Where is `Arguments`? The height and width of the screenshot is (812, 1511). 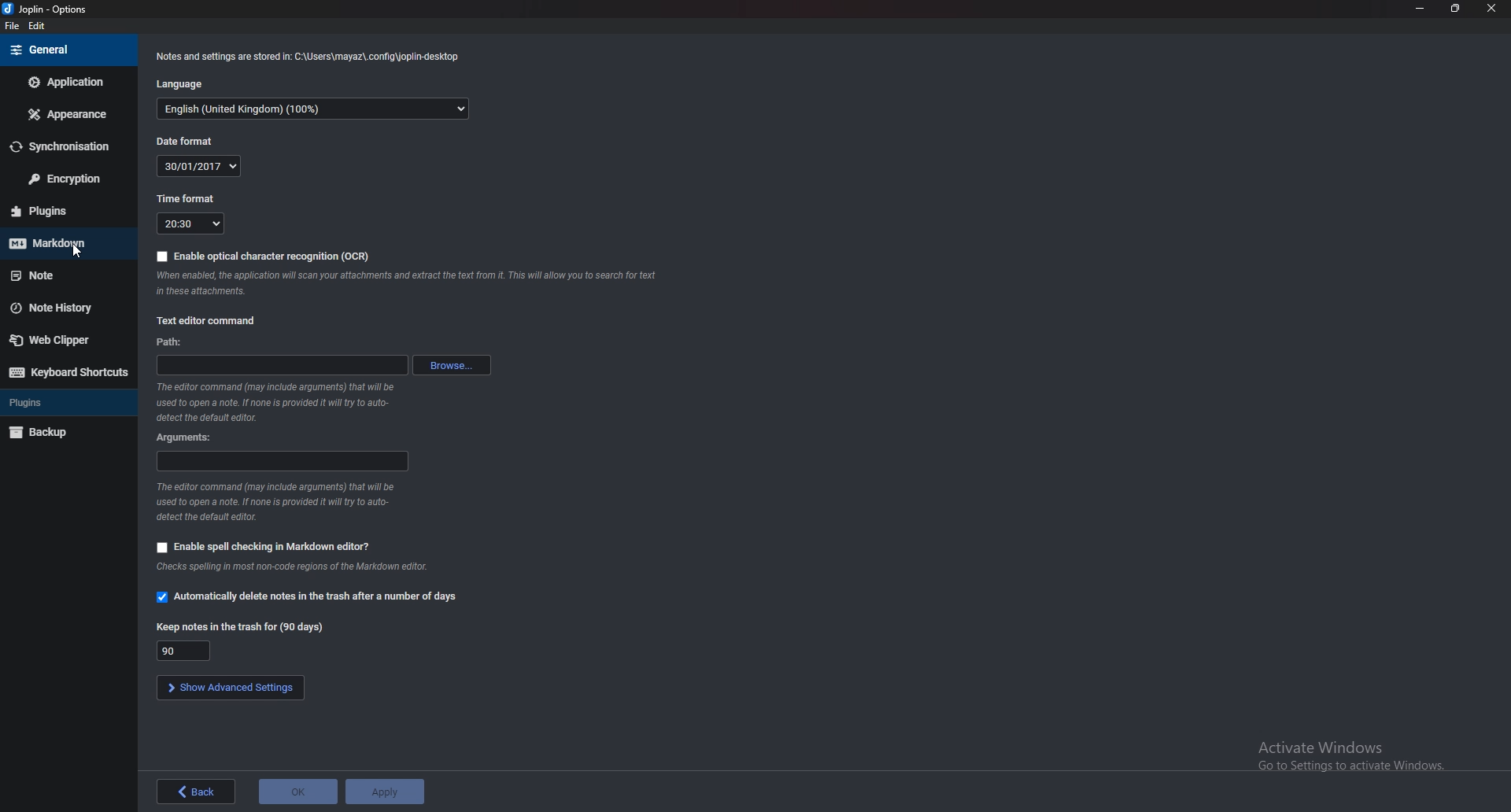
Arguments is located at coordinates (283, 460).